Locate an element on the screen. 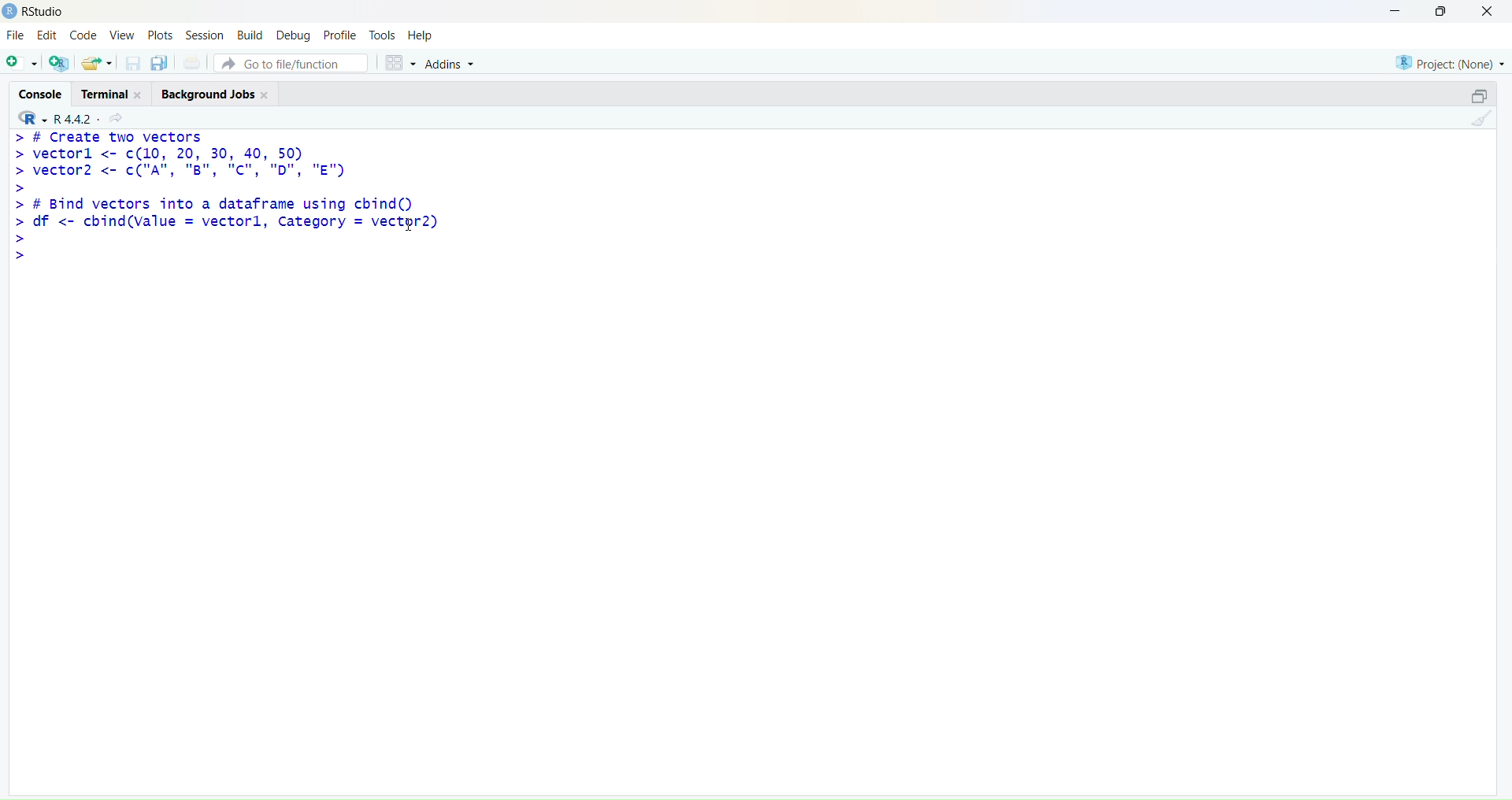 Image resolution: width=1512 pixels, height=800 pixels. workspace panes is located at coordinates (399, 64).